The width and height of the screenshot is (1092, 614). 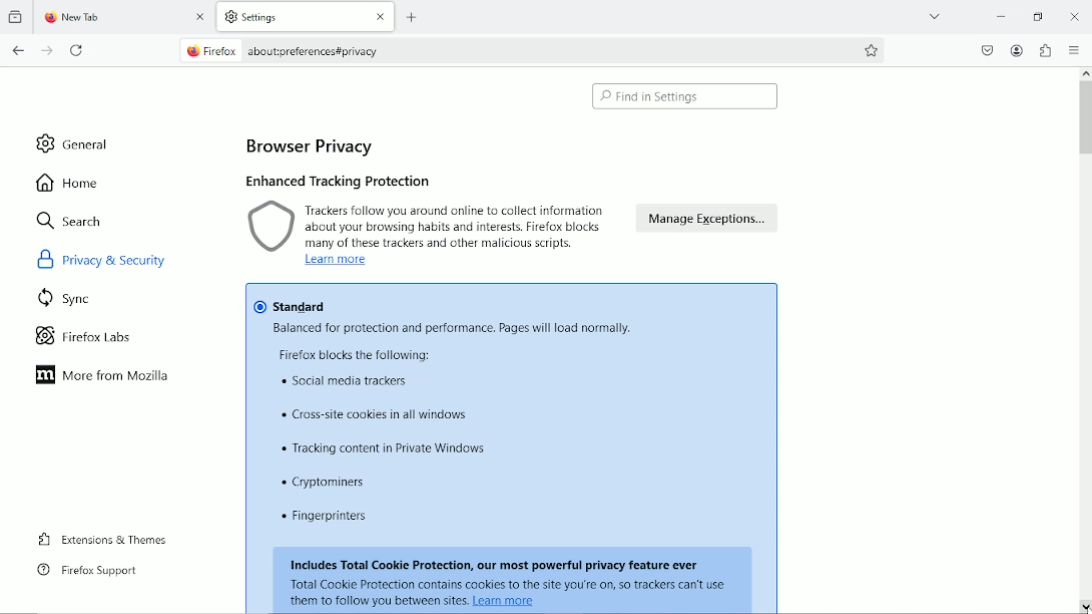 What do you see at coordinates (1017, 51) in the screenshot?
I see `account` at bounding box center [1017, 51].